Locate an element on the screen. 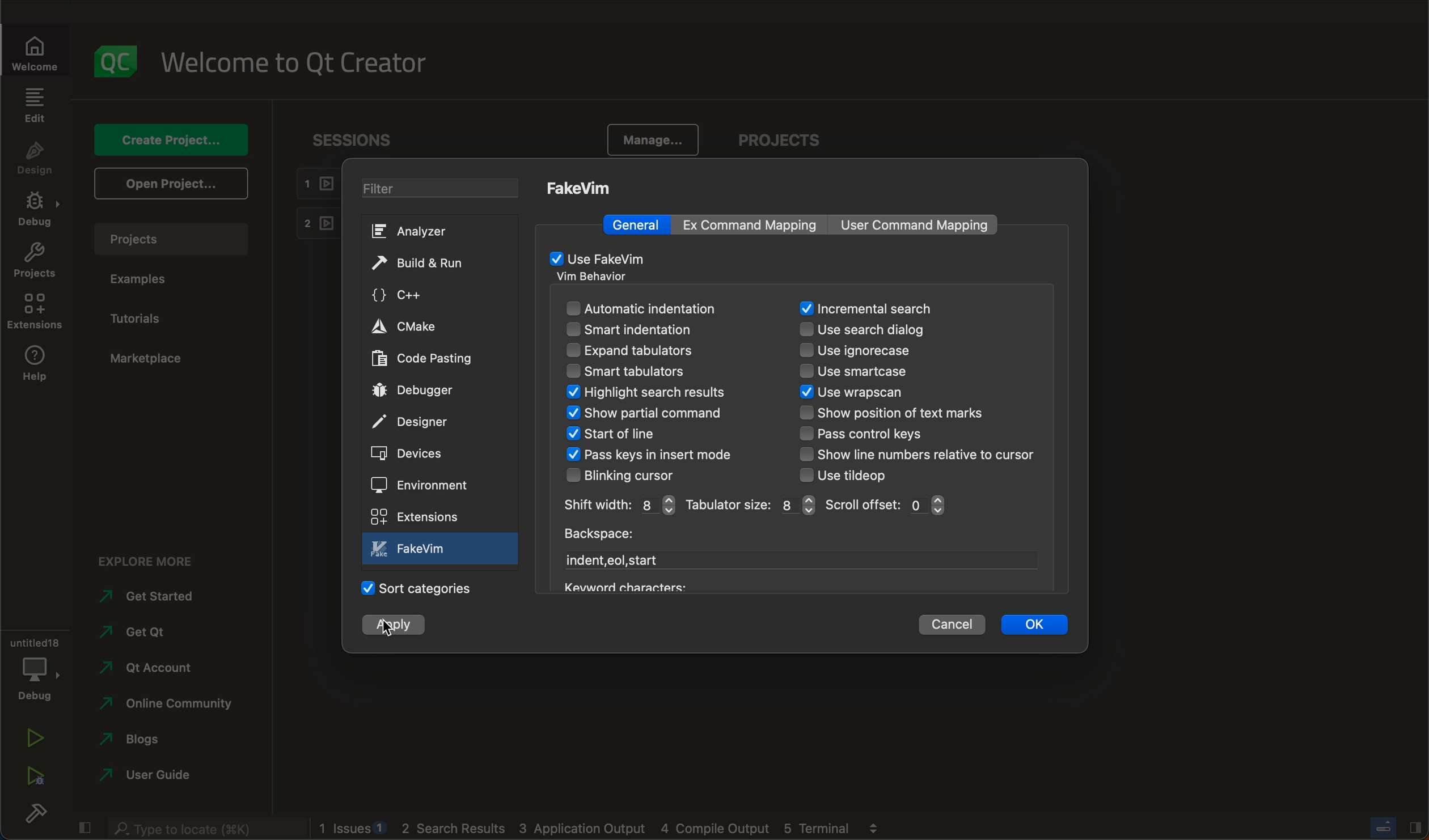 Image resolution: width=1429 pixels, height=840 pixels. account is located at coordinates (162, 668).